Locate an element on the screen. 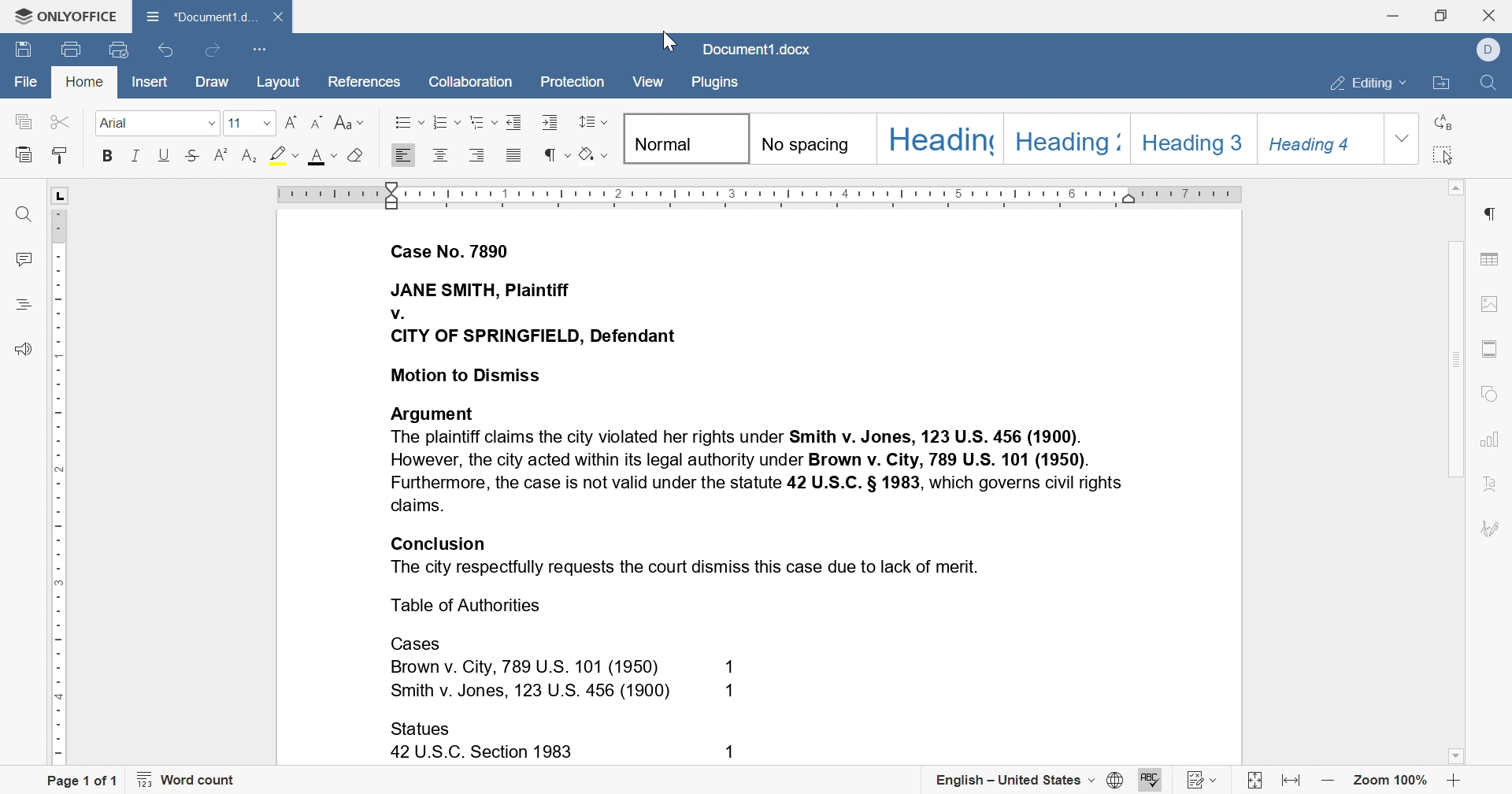 This screenshot has width=1512, height=794. clear style is located at coordinates (358, 158).